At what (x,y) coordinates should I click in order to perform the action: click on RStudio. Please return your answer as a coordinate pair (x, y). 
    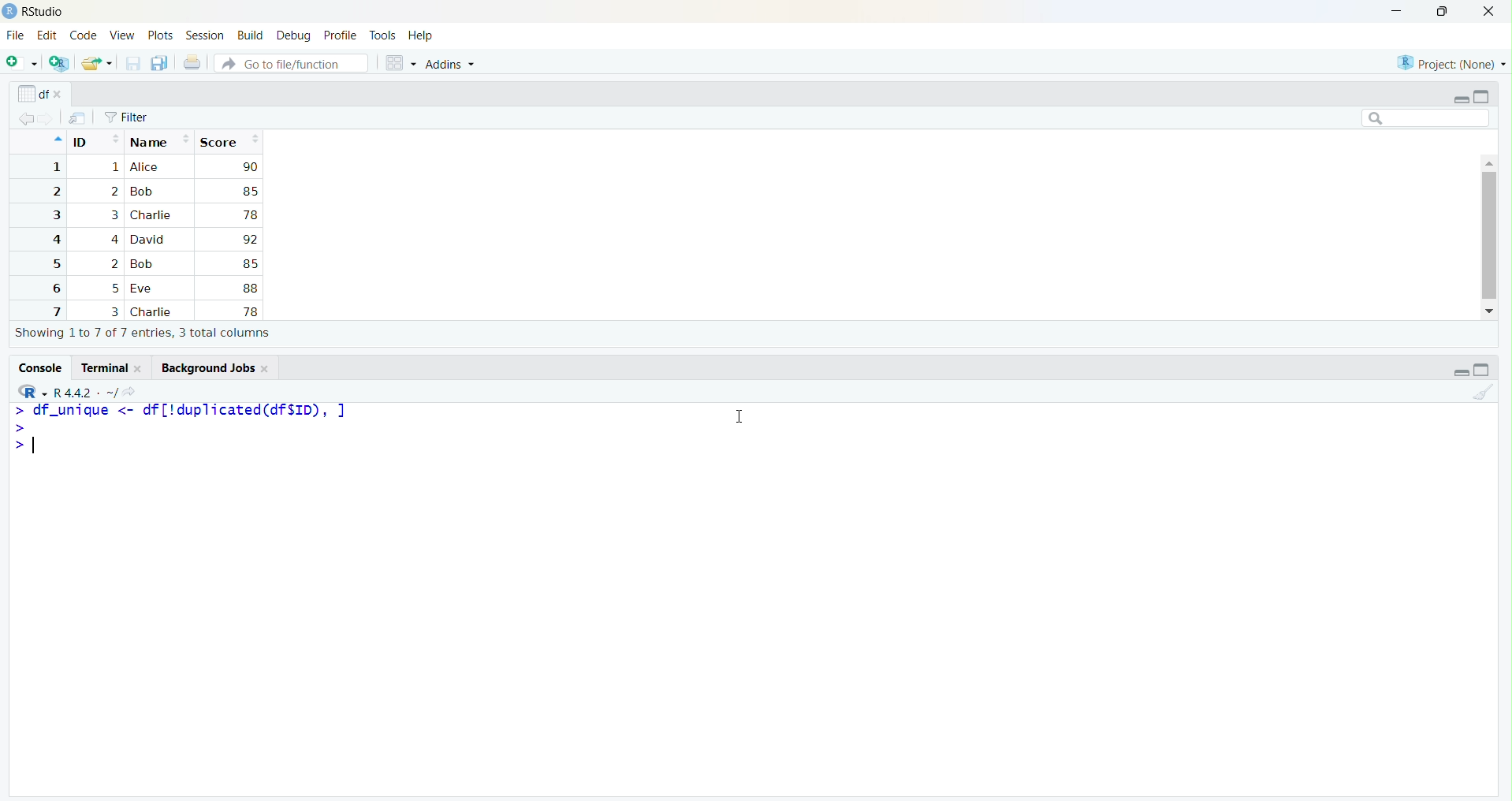
    Looking at the image, I should click on (44, 12).